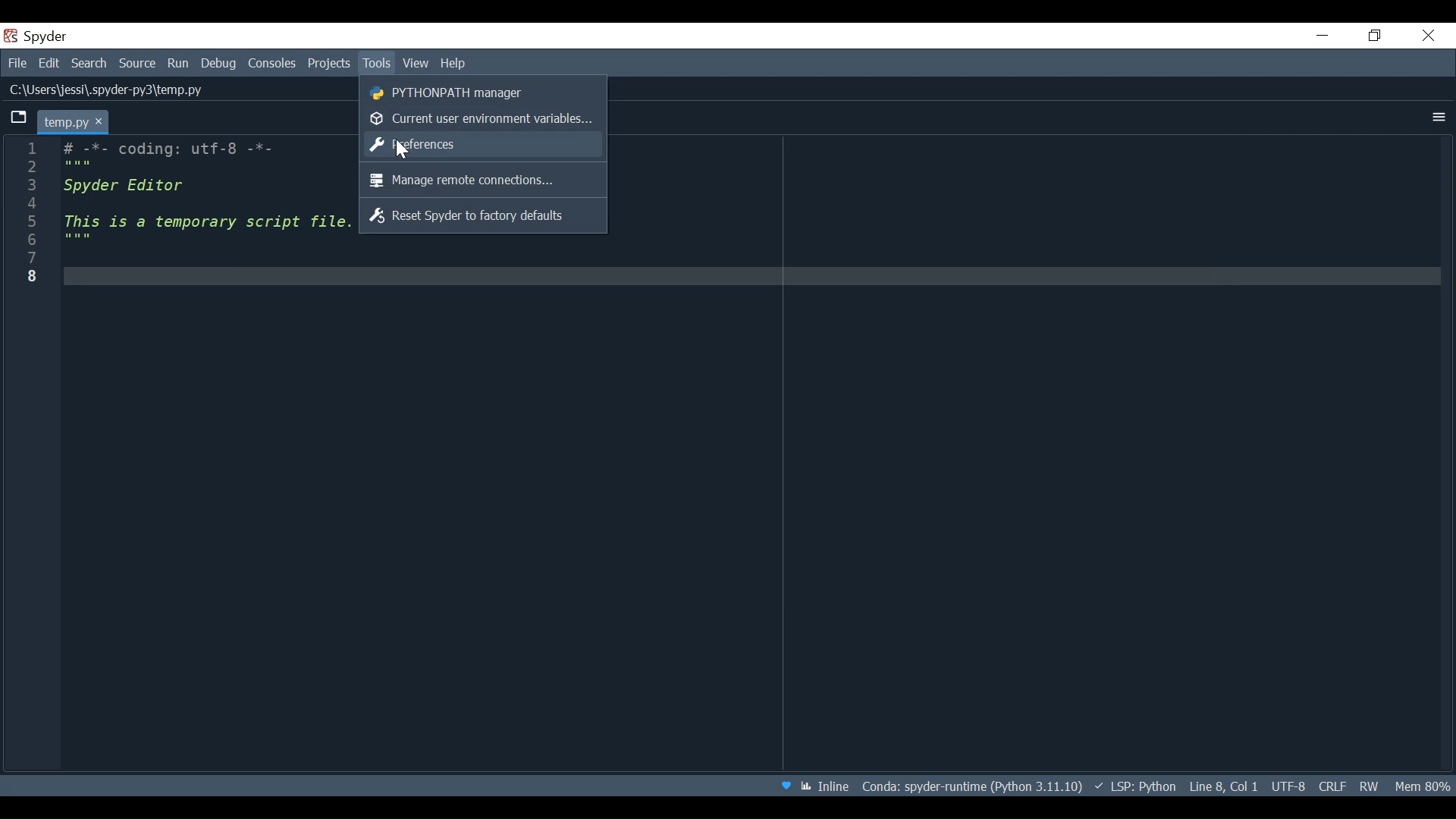 This screenshot has width=1456, height=819. I want to click on Cursor, so click(403, 148).